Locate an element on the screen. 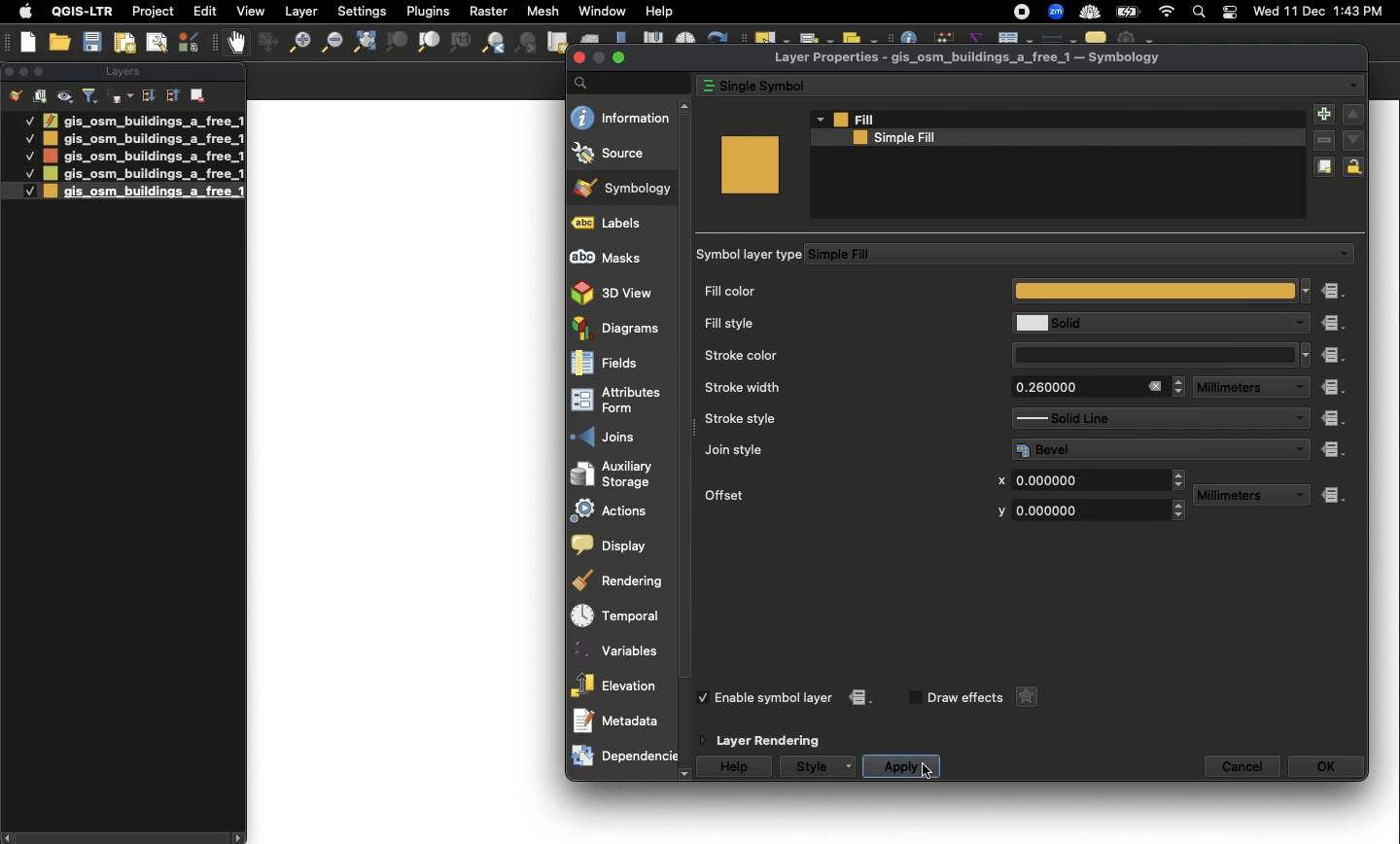 Image resolution: width=1400 pixels, height=844 pixels.  Millimeters is located at coordinates (1232, 388).